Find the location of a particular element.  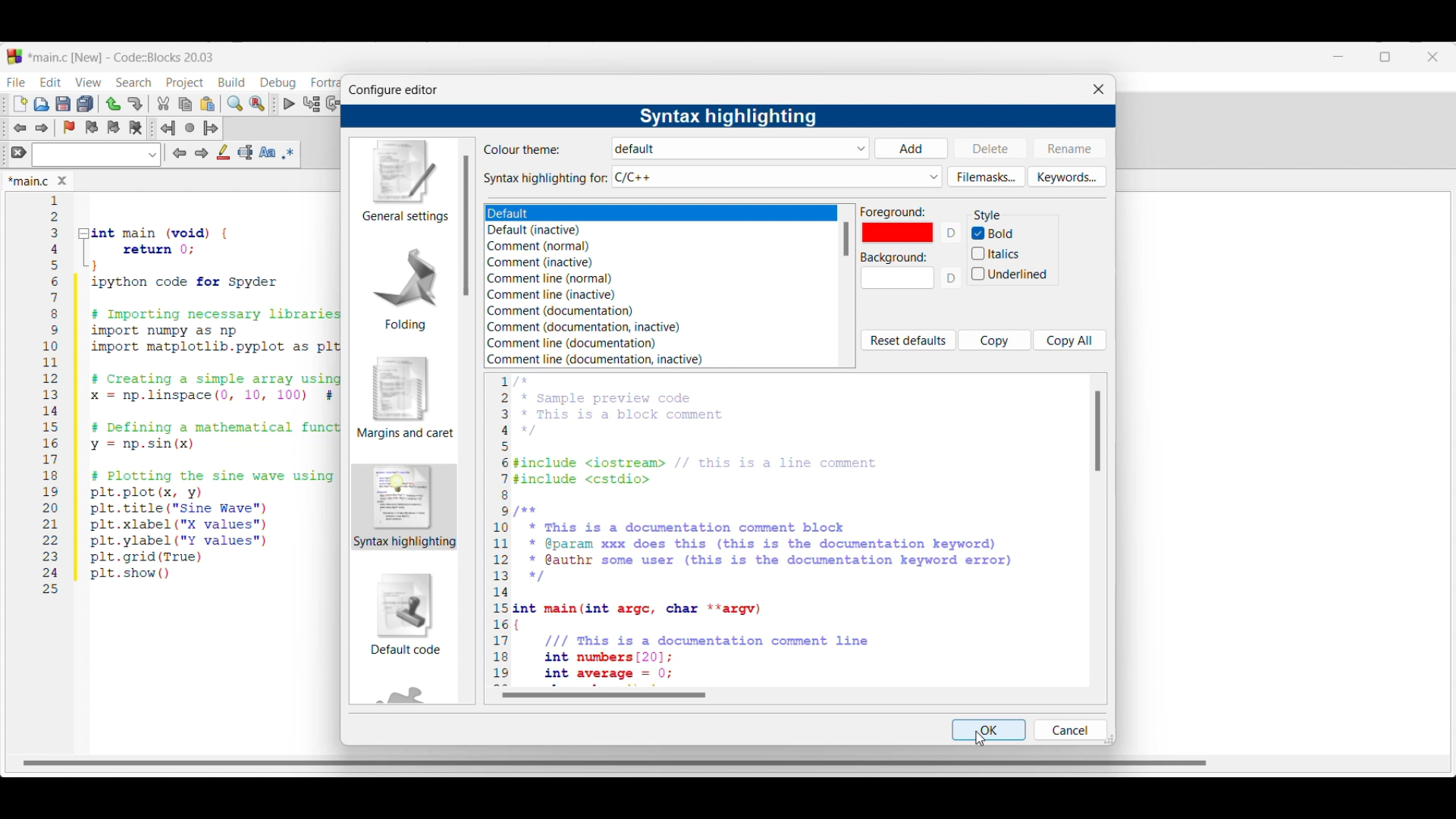

Toggle forward is located at coordinates (42, 128).